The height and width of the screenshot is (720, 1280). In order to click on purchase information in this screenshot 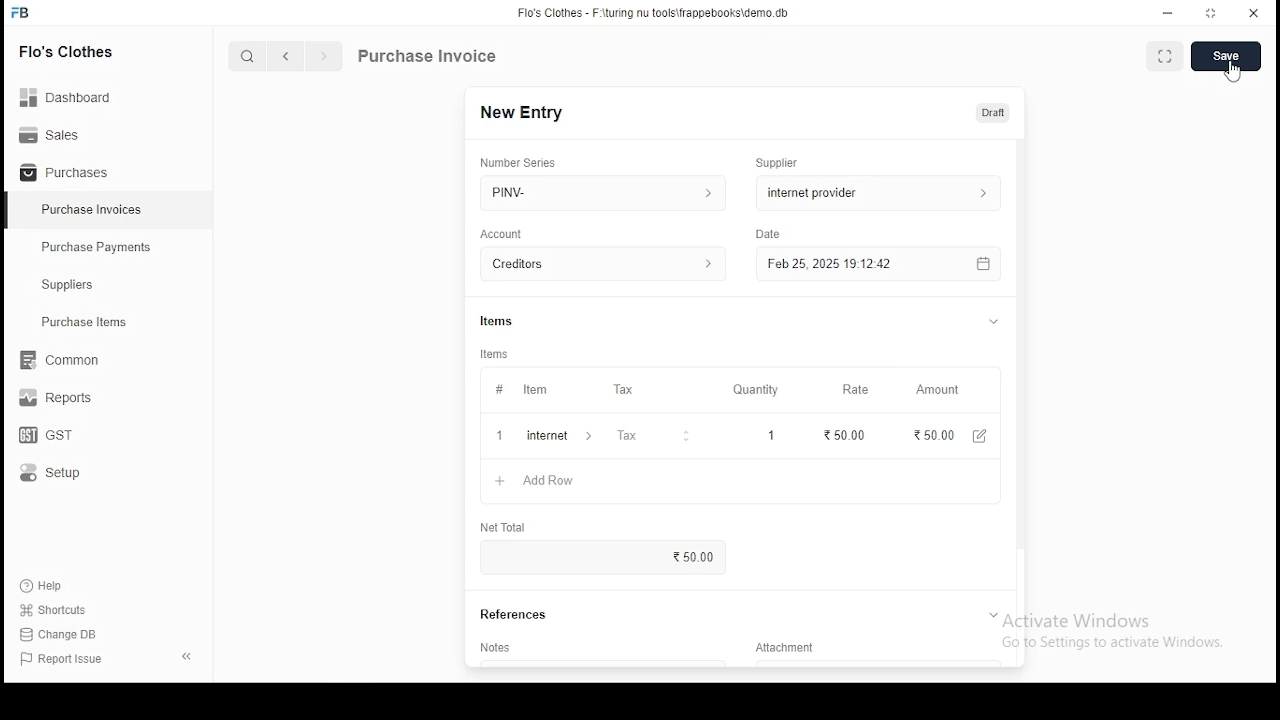, I will do `click(428, 57)`.